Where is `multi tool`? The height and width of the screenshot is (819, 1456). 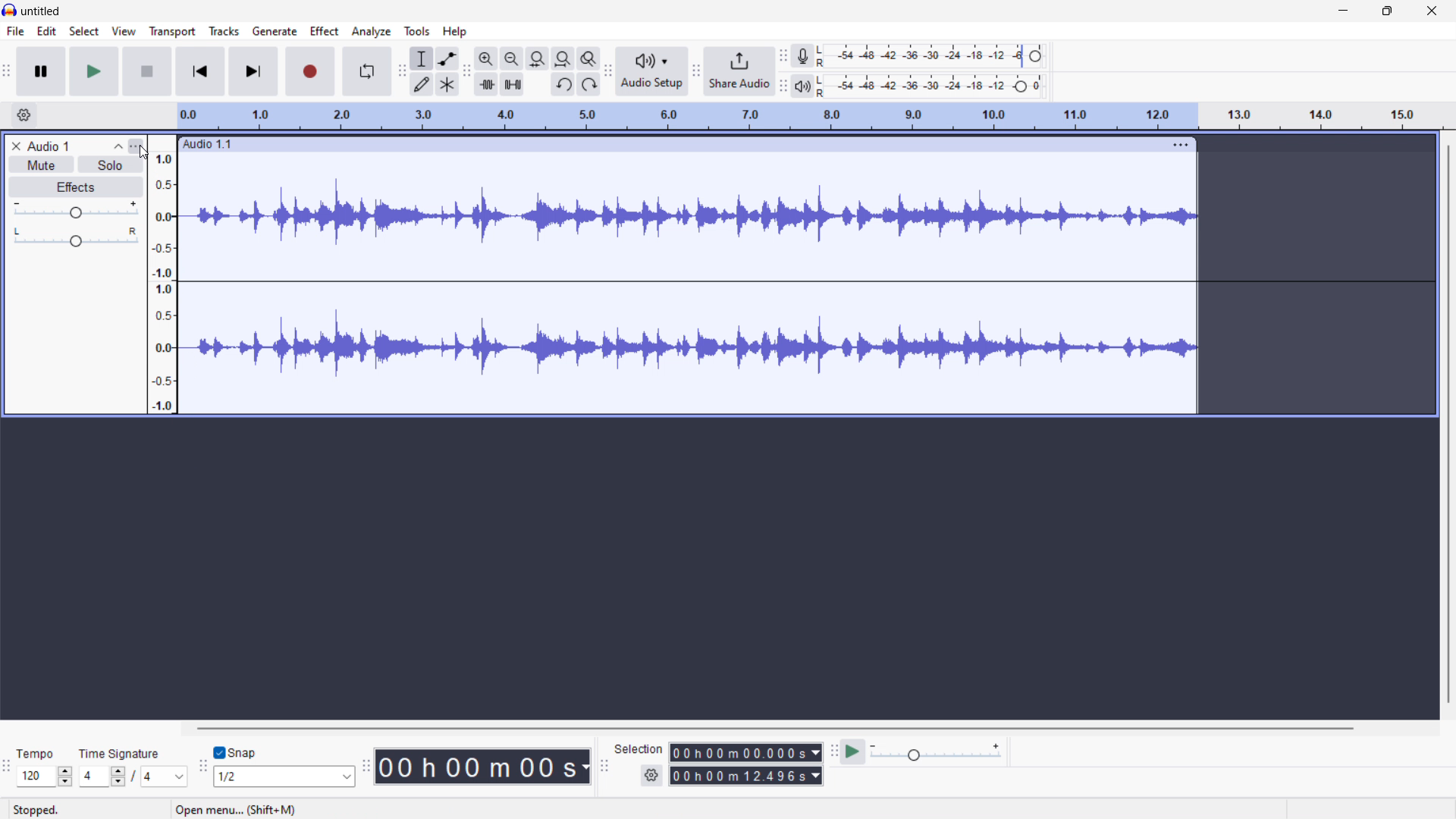
multi tool is located at coordinates (448, 84).